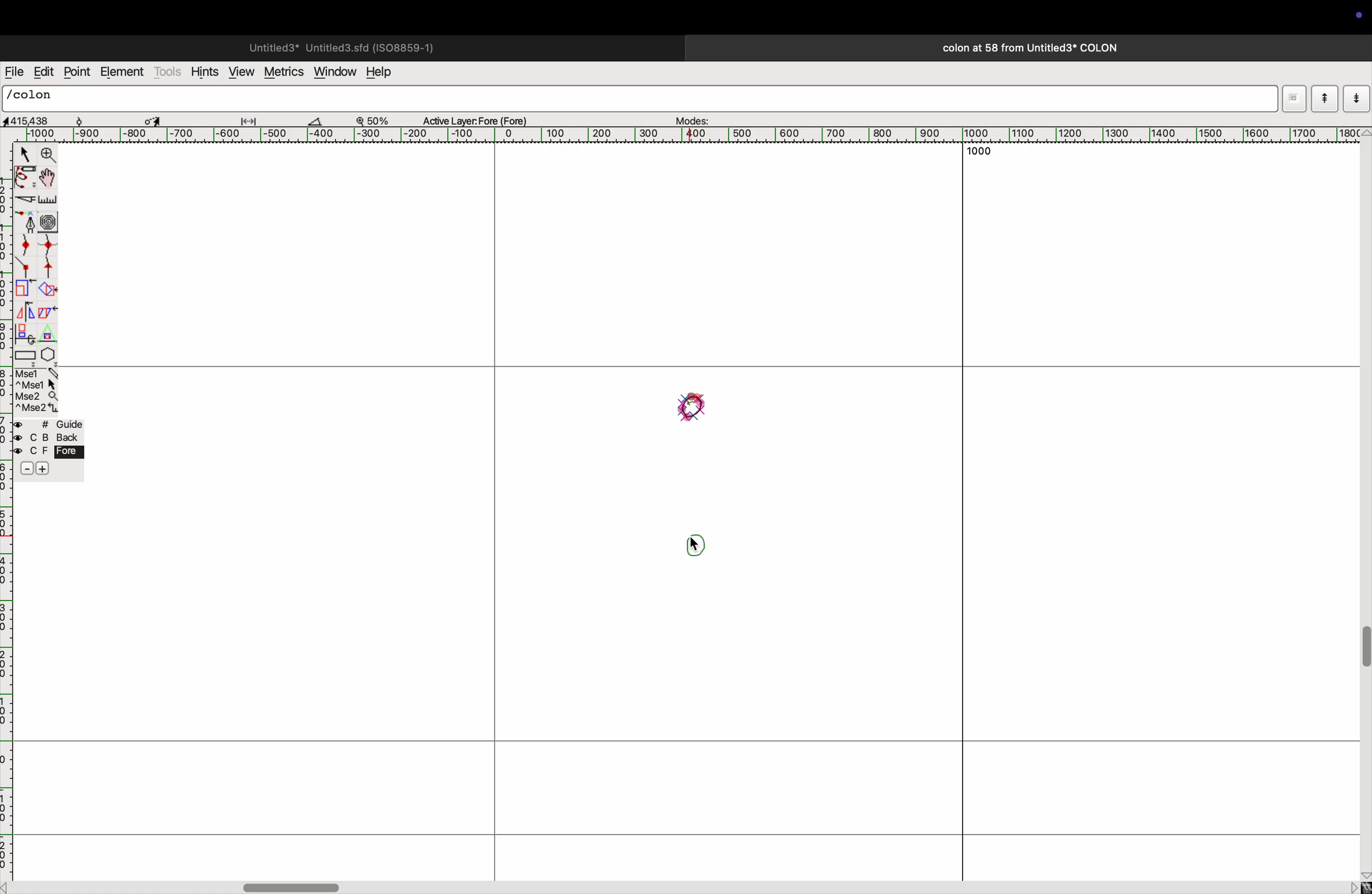 The image size is (1372, 894). I want to click on pentagon, so click(48, 345).